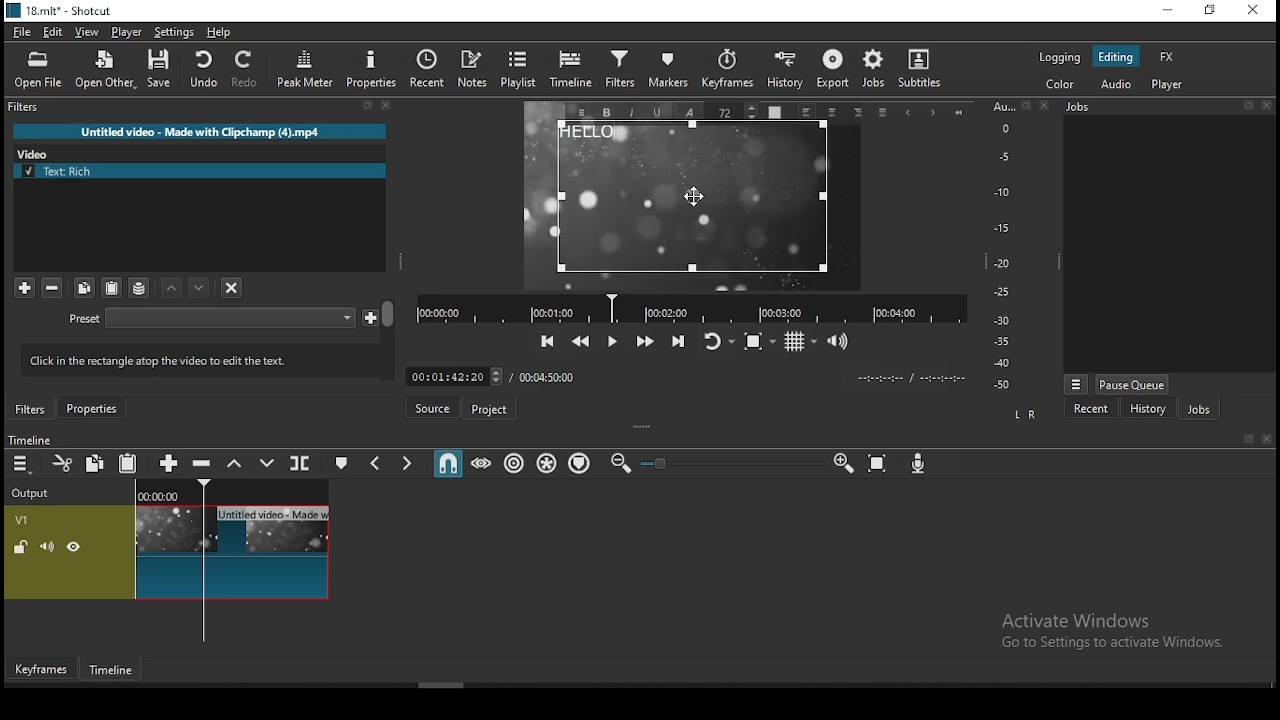 This screenshot has height=720, width=1280. I want to click on edit, so click(55, 33).